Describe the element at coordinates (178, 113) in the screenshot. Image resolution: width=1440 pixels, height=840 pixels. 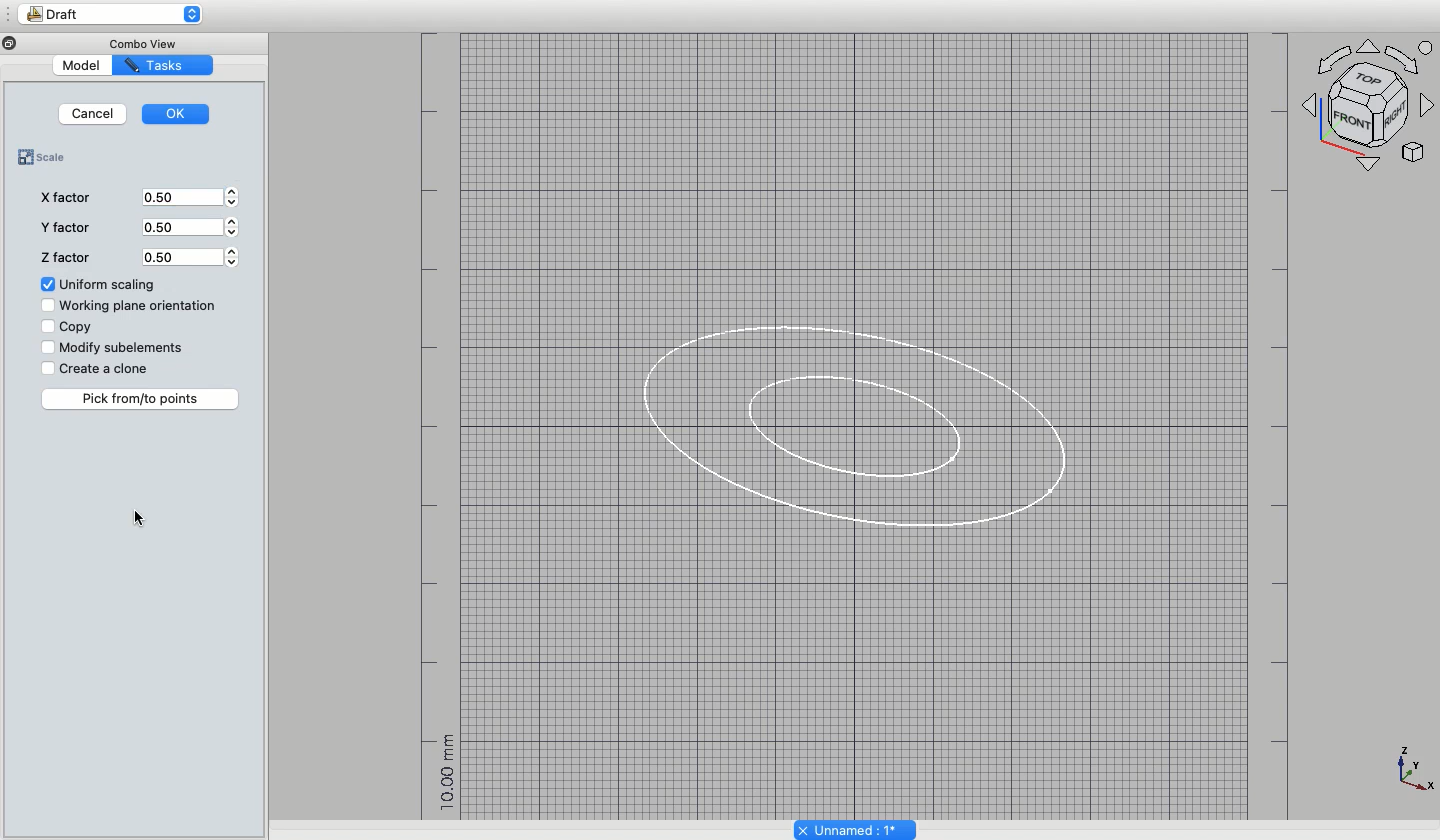
I see `OK` at that location.